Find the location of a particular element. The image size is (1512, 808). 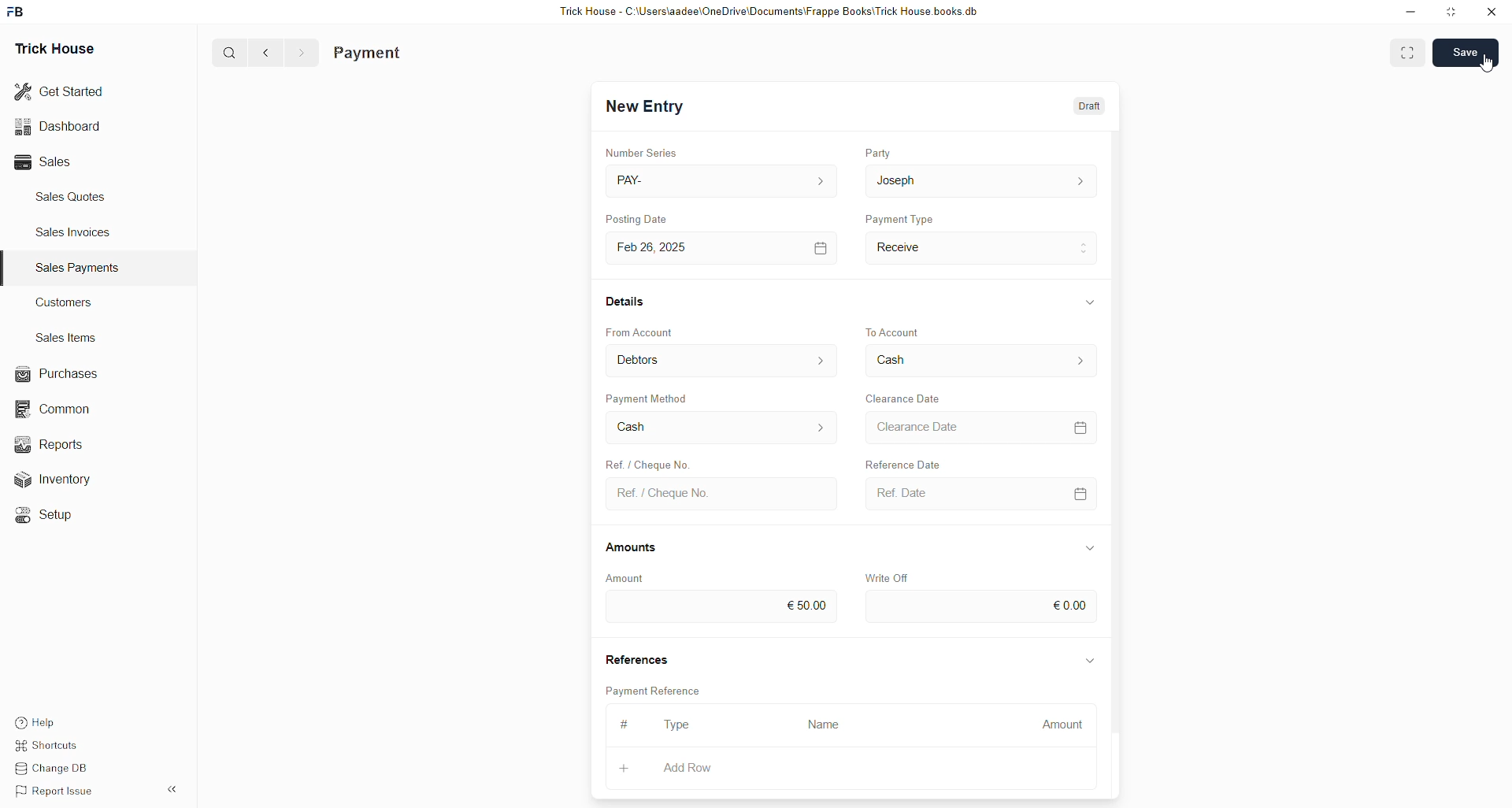

Dashboard is located at coordinates (57, 129).